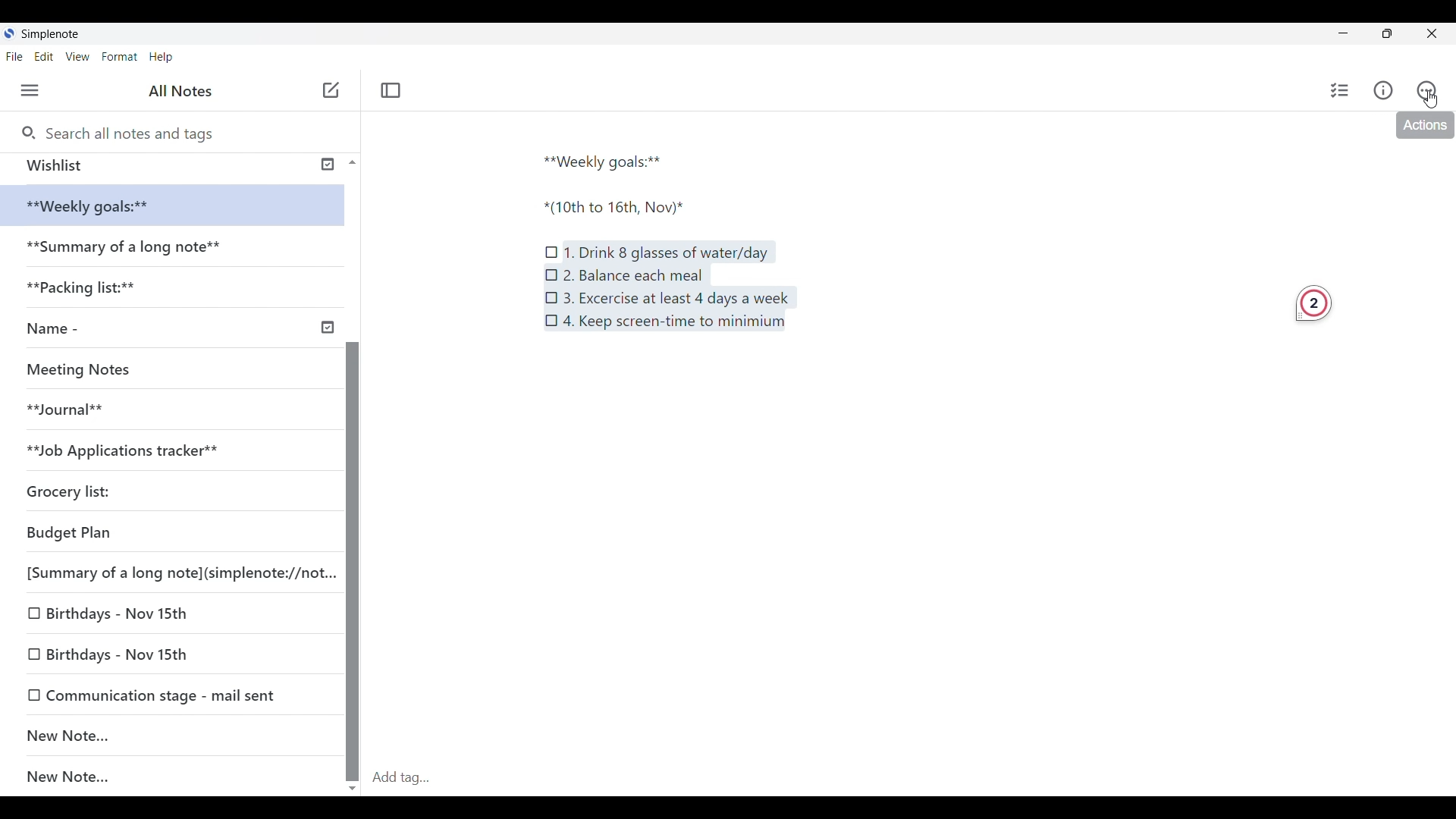 This screenshot has width=1456, height=819. I want to click on **Job Applications tracker**, so click(137, 450).